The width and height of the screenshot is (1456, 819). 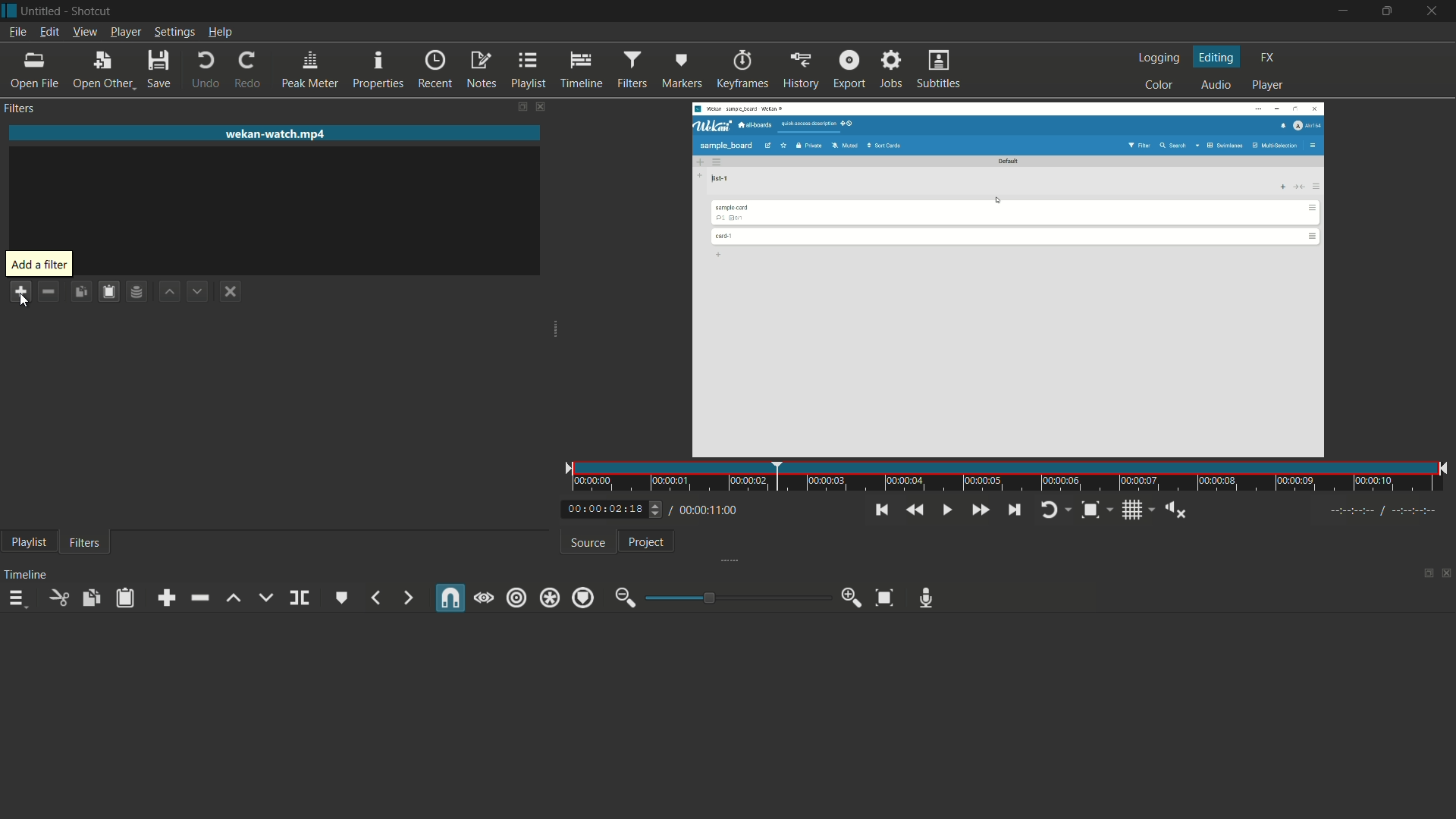 I want to click on notes, so click(x=480, y=71).